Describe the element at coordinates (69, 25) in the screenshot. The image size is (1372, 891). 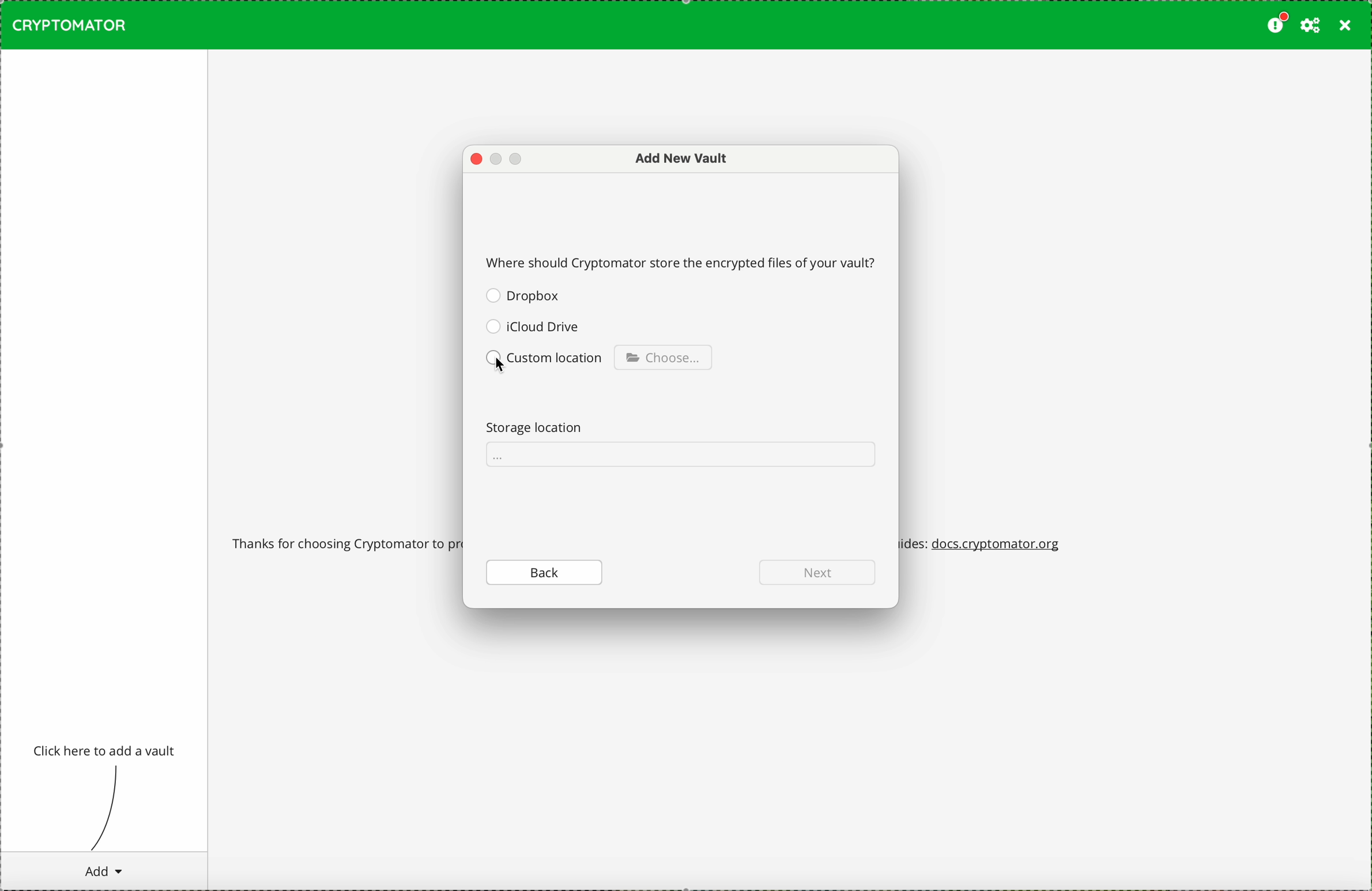
I see `CRYPTOMATOR` at that location.